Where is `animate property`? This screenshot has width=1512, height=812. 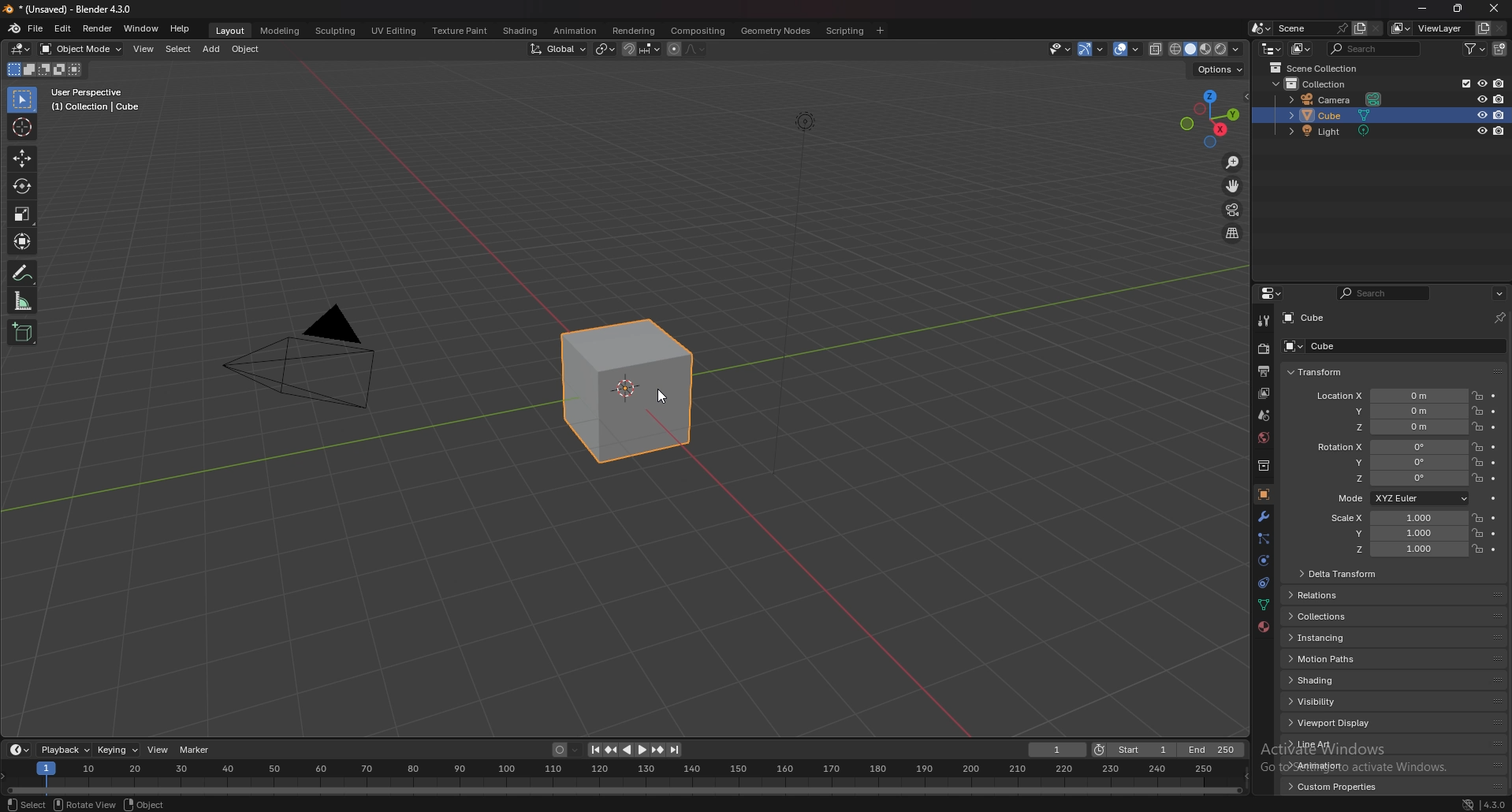
animate property is located at coordinates (1495, 447).